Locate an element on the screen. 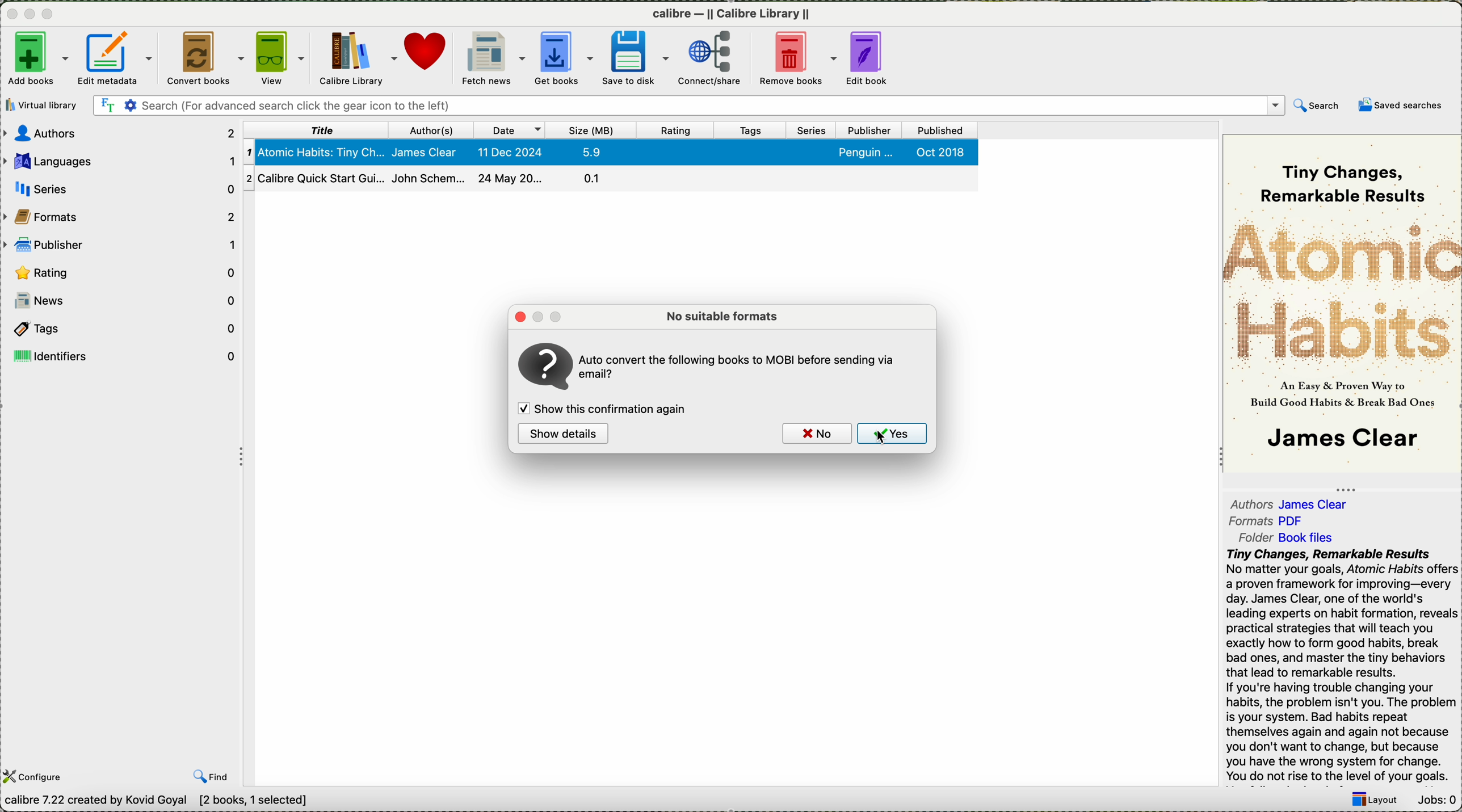 The width and height of the screenshot is (1462, 812). news is located at coordinates (123, 299).